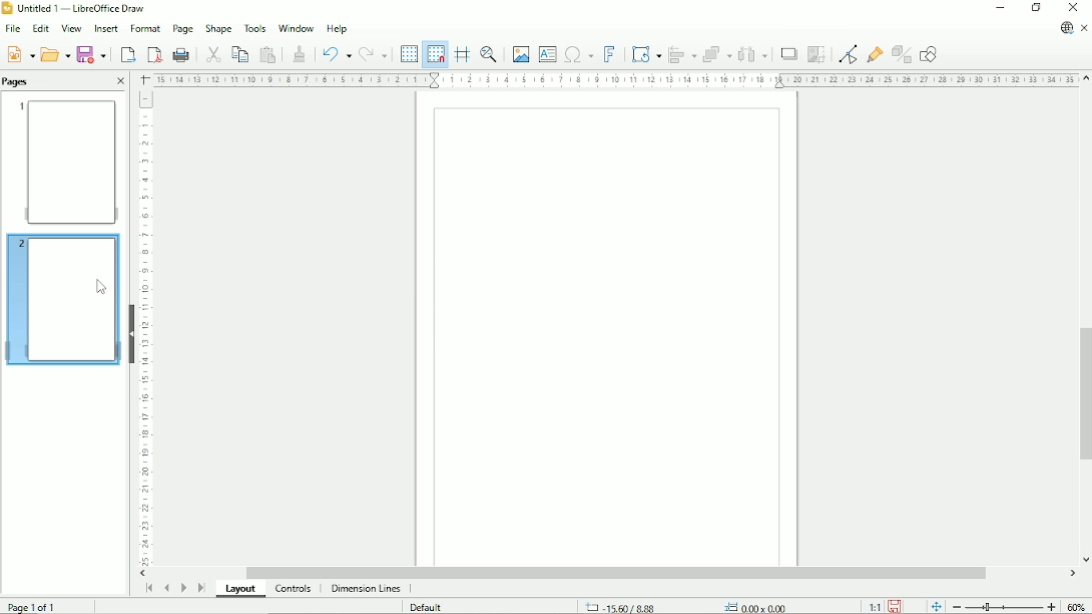  What do you see at coordinates (615, 573) in the screenshot?
I see `Horizontal scrollbar` at bounding box center [615, 573].